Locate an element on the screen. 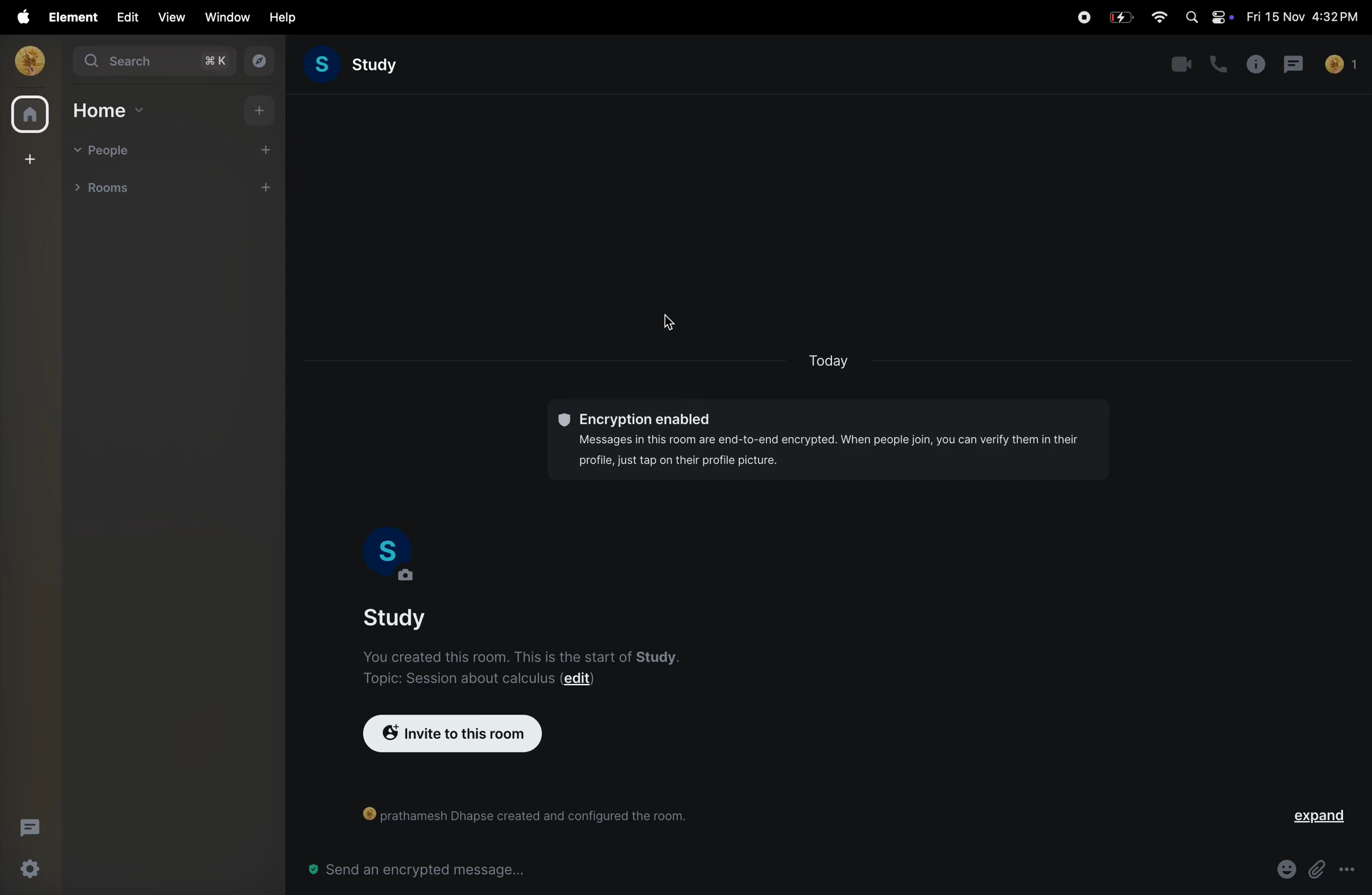 The image size is (1372, 895). apple widgets is located at coordinates (1206, 18).